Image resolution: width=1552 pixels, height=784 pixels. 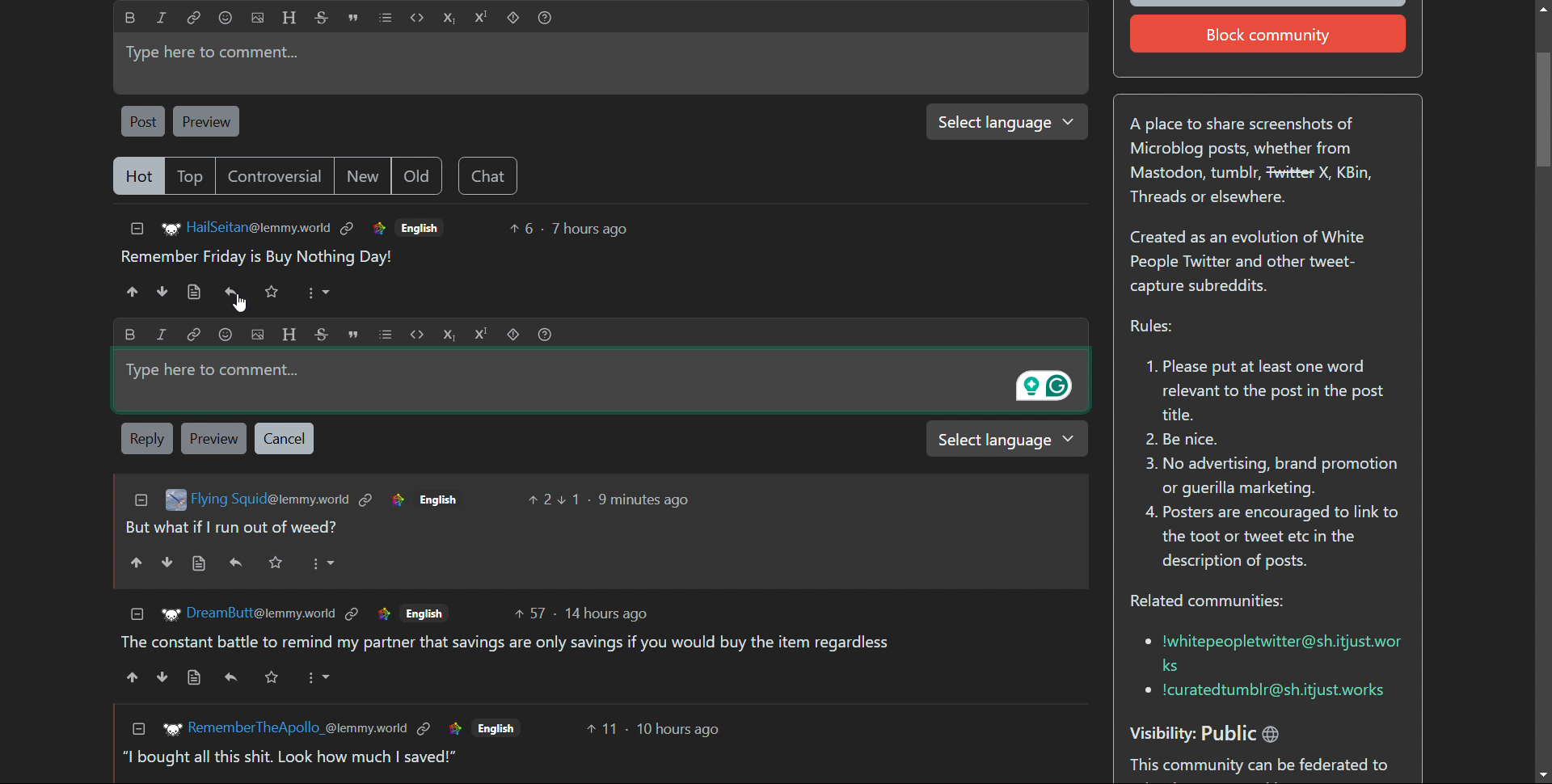 I want to click on link, so click(x=423, y=731).